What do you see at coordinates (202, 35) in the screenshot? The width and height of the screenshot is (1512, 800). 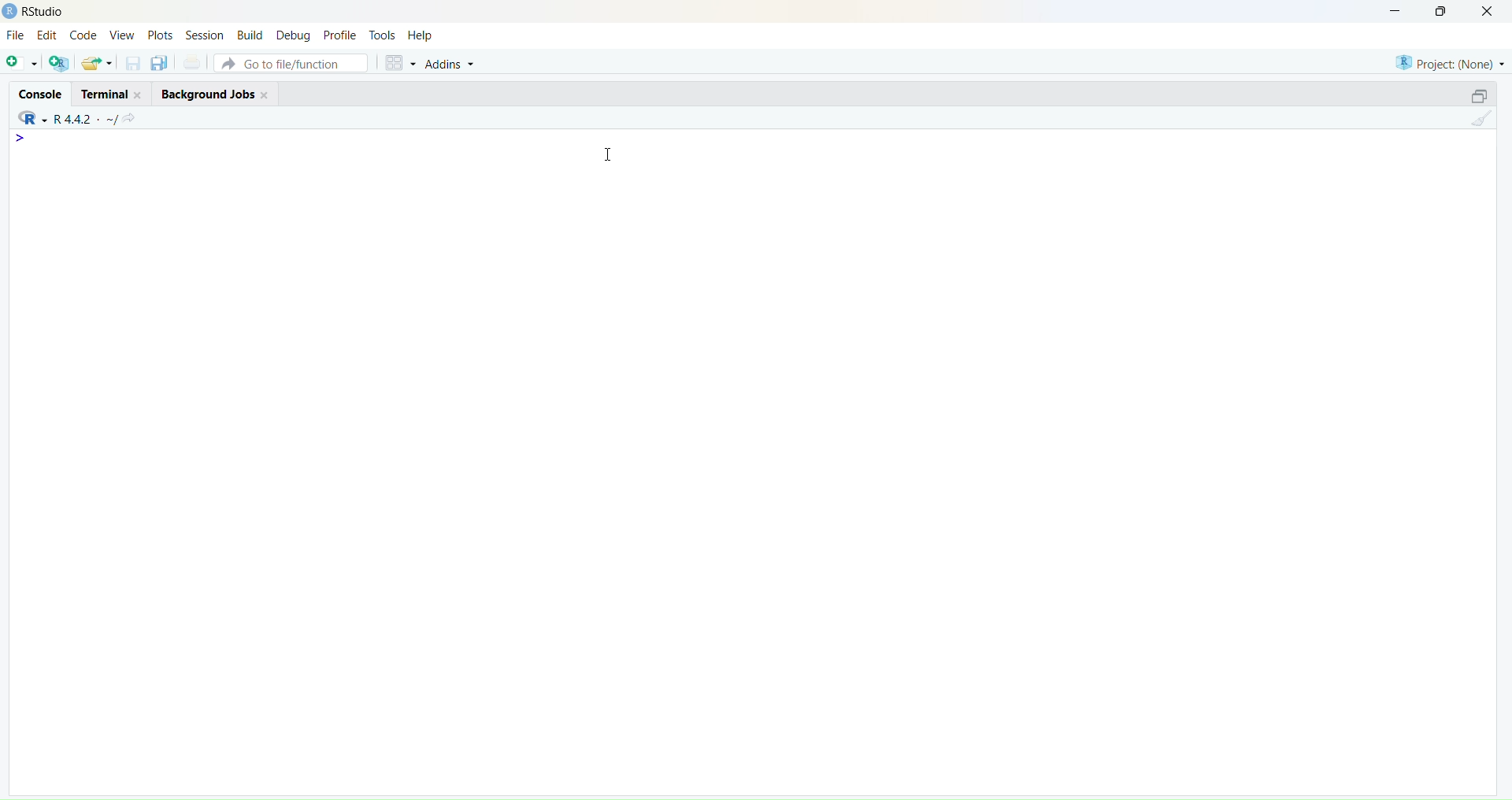 I see `Session` at bounding box center [202, 35].